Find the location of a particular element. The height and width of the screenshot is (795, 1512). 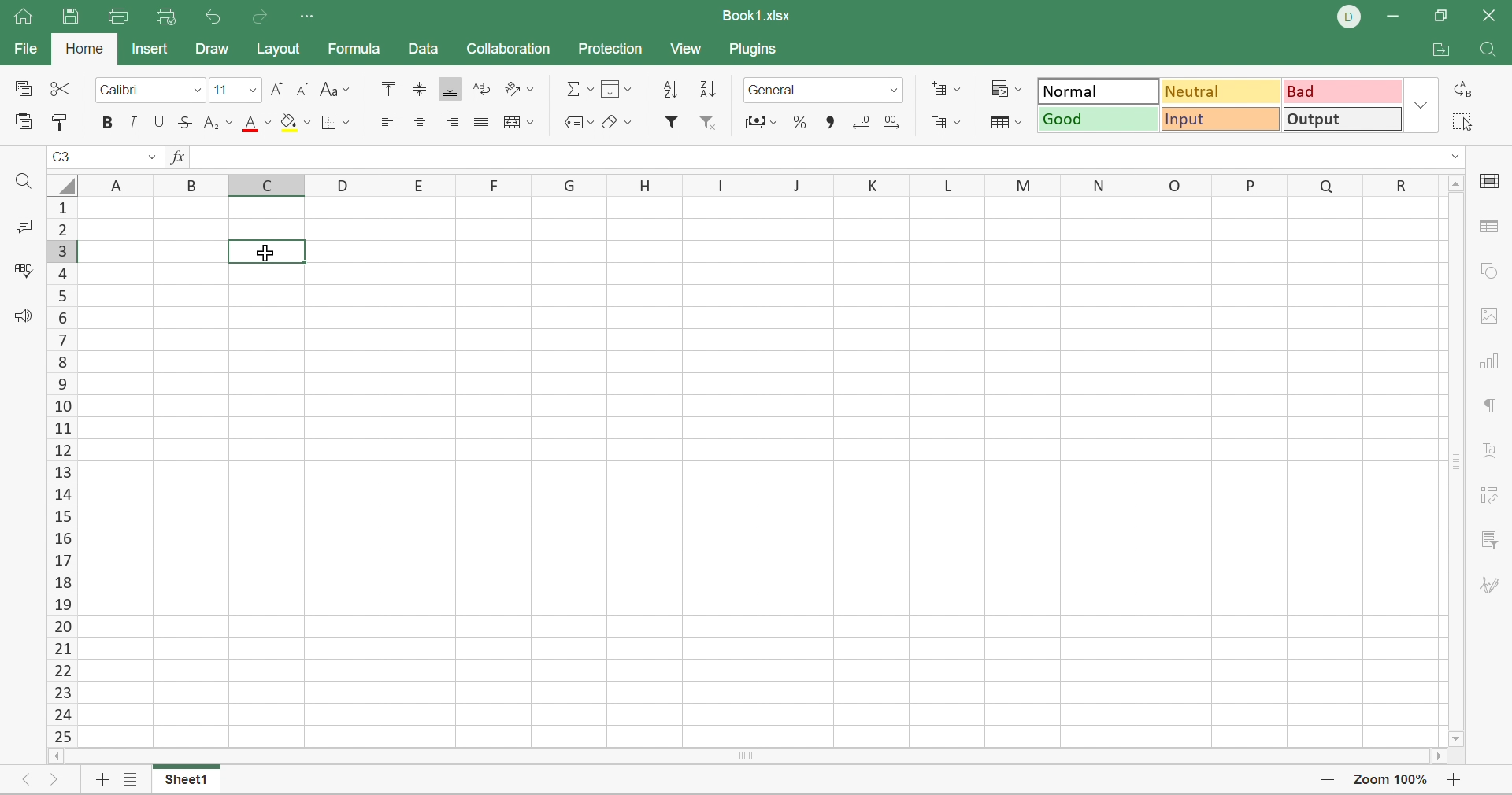

Decrease3 decimal is located at coordinates (863, 120).